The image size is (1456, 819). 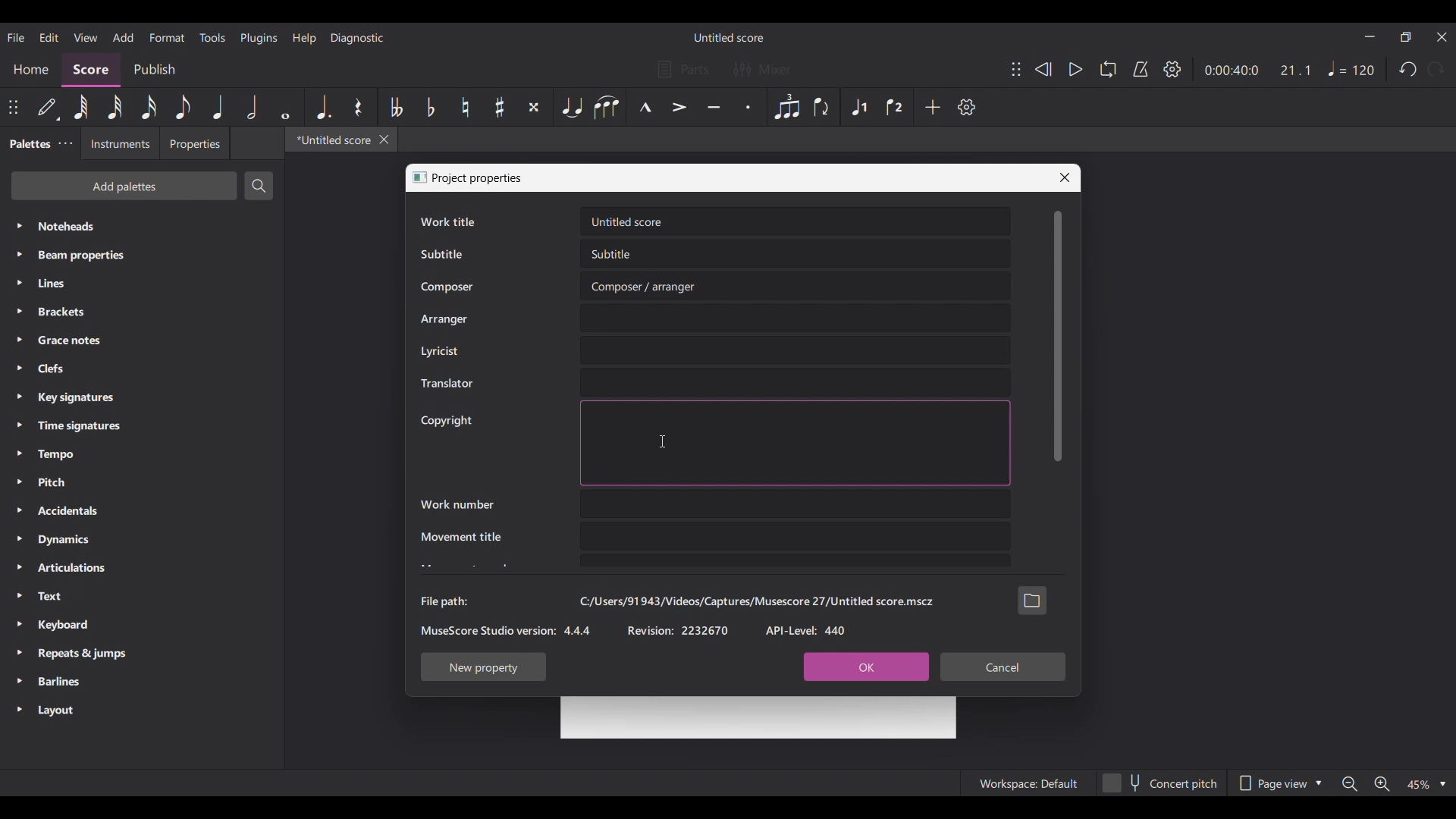 What do you see at coordinates (795, 350) in the screenshot?
I see `Text box for Lyricist` at bounding box center [795, 350].